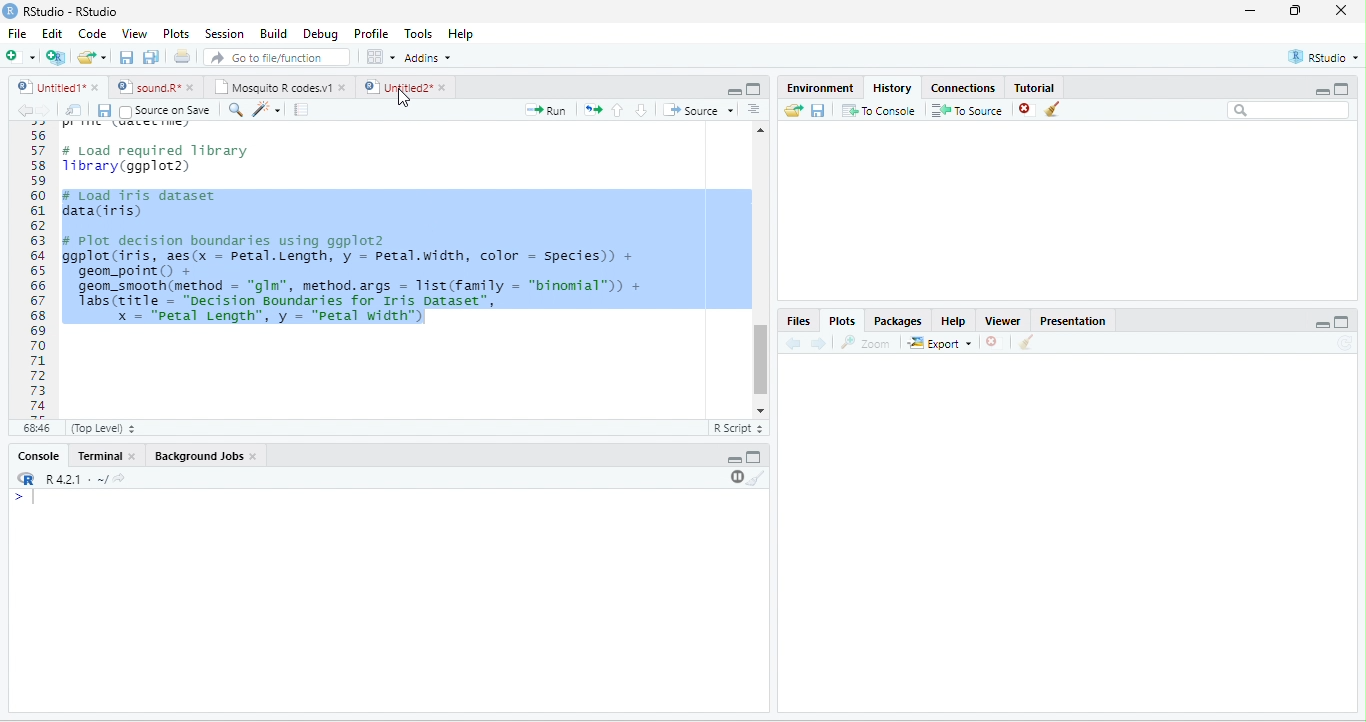 The width and height of the screenshot is (1366, 722). I want to click on History, so click(892, 88).